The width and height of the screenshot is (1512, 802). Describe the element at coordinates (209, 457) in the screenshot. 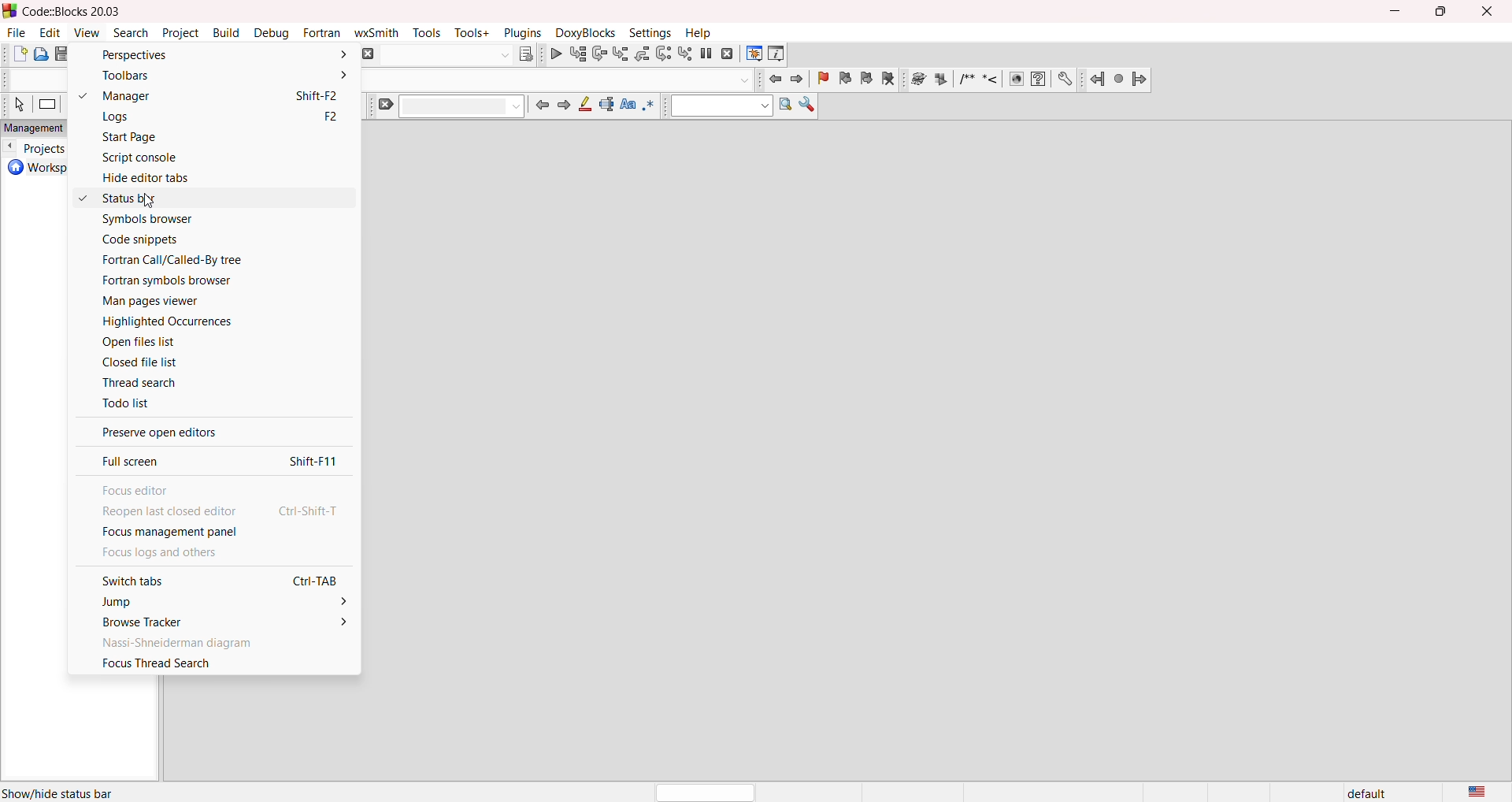

I see `full screen` at that location.